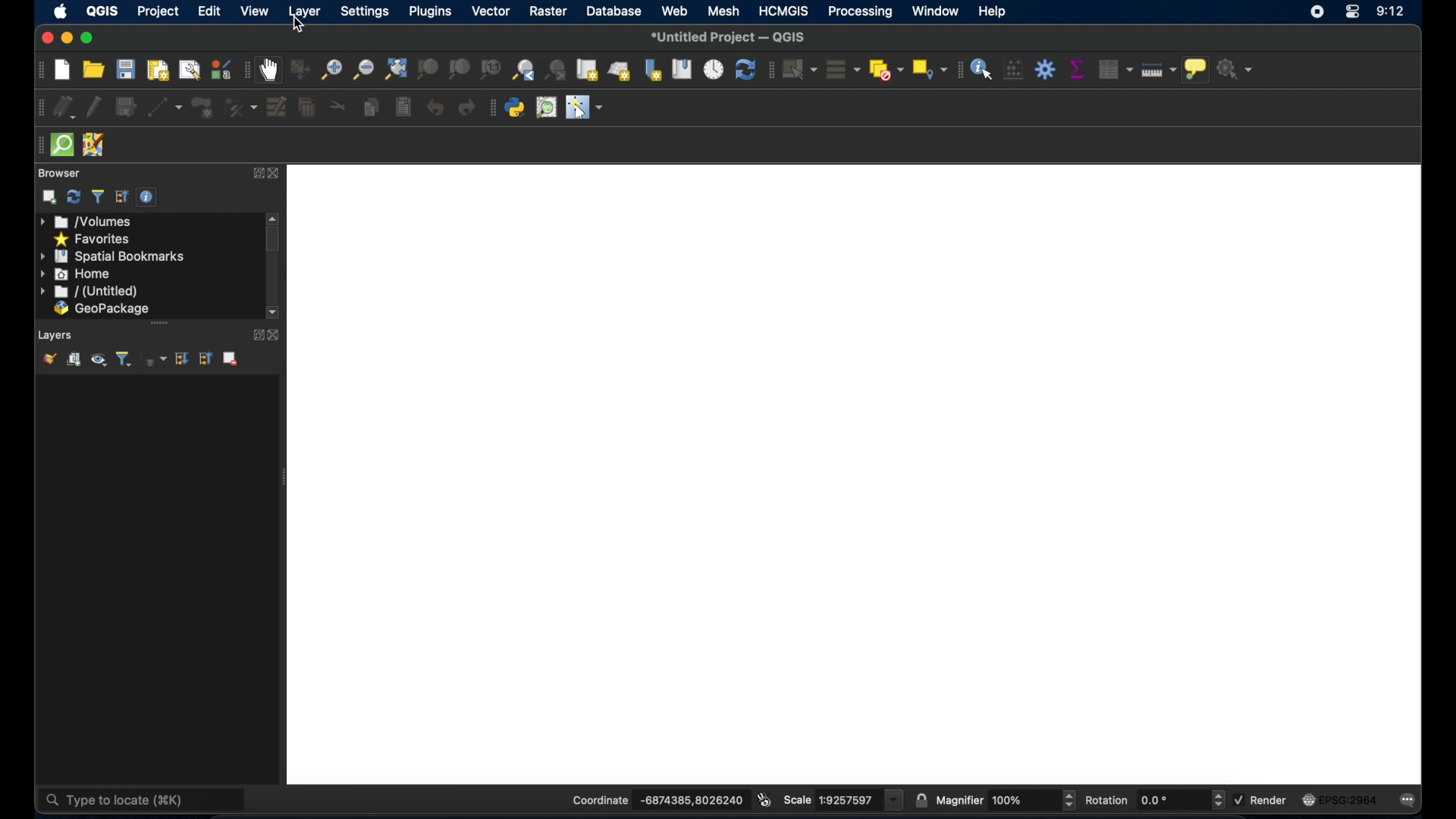  Describe the element at coordinates (843, 799) in the screenshot. I see `scale` at that location.